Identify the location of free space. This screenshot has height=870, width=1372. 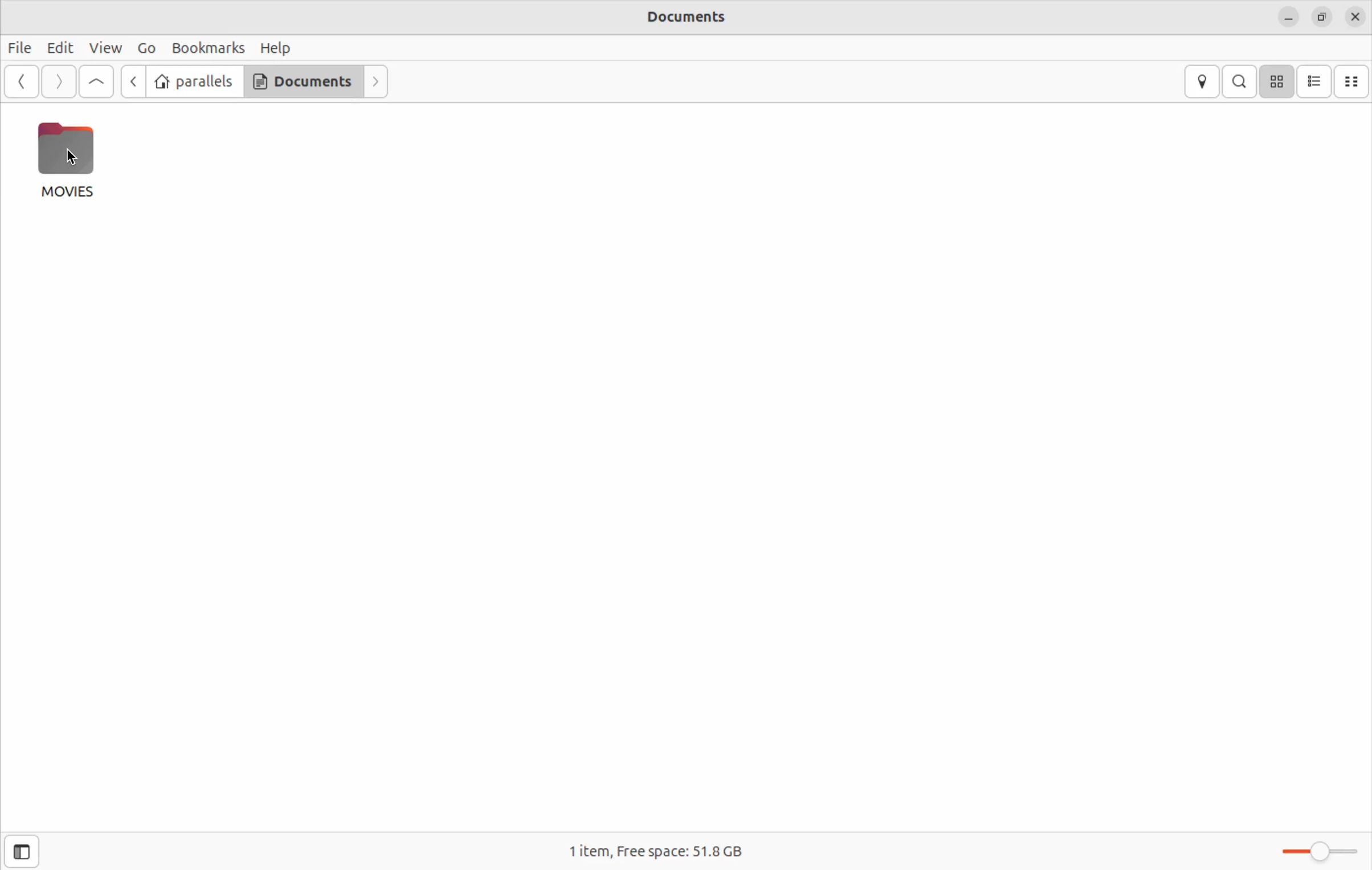
(662, 852).